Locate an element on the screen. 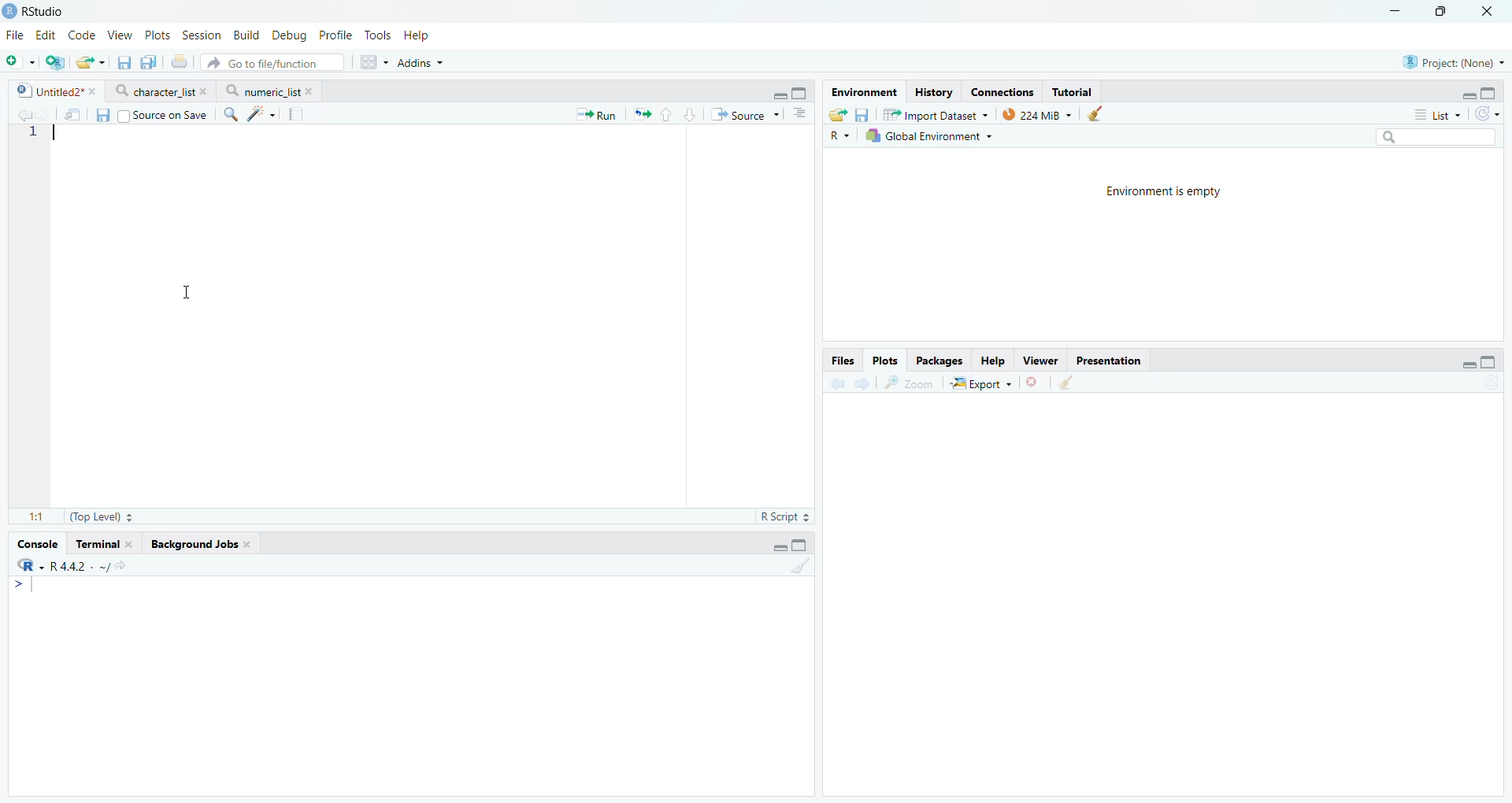 The height and width of the screenshot is (803, 1512). Help is located at coordinates (419, 36).